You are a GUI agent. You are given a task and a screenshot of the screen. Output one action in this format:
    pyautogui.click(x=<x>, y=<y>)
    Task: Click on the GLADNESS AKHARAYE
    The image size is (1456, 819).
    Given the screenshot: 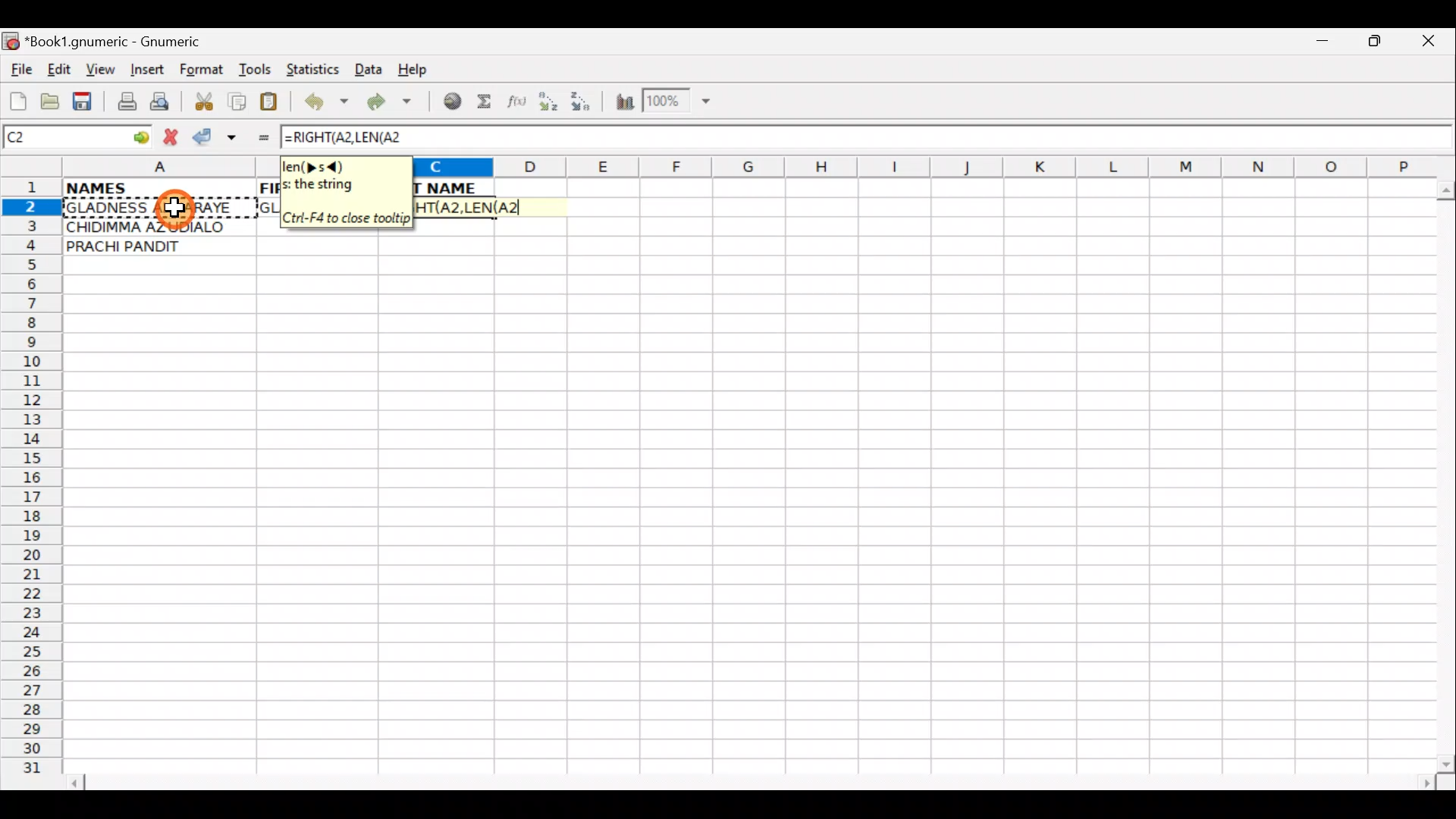 What is the action you would take?
    pyautogui.click(x=158, y=209)
    